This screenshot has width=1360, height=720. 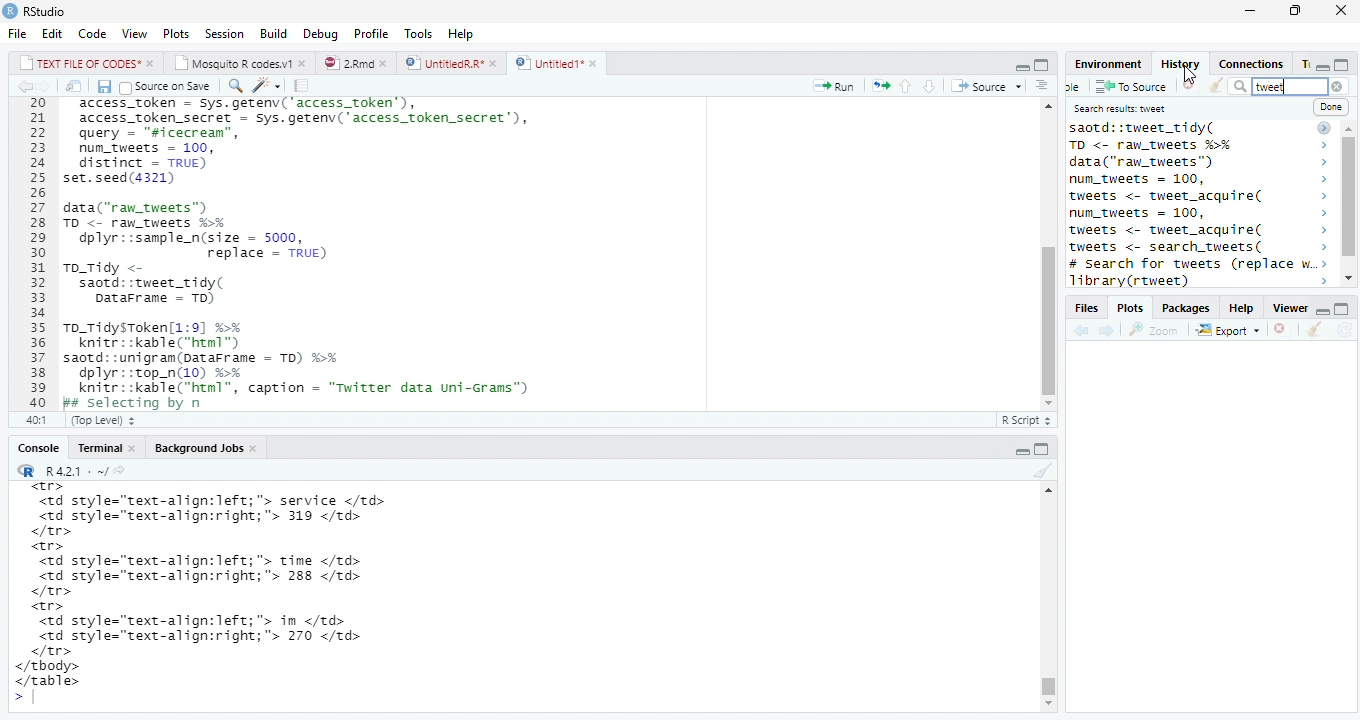 What do you see at coordinates (1263, 63) in the screenshot?
I see `Connections` at bounding box center [1263, 63].